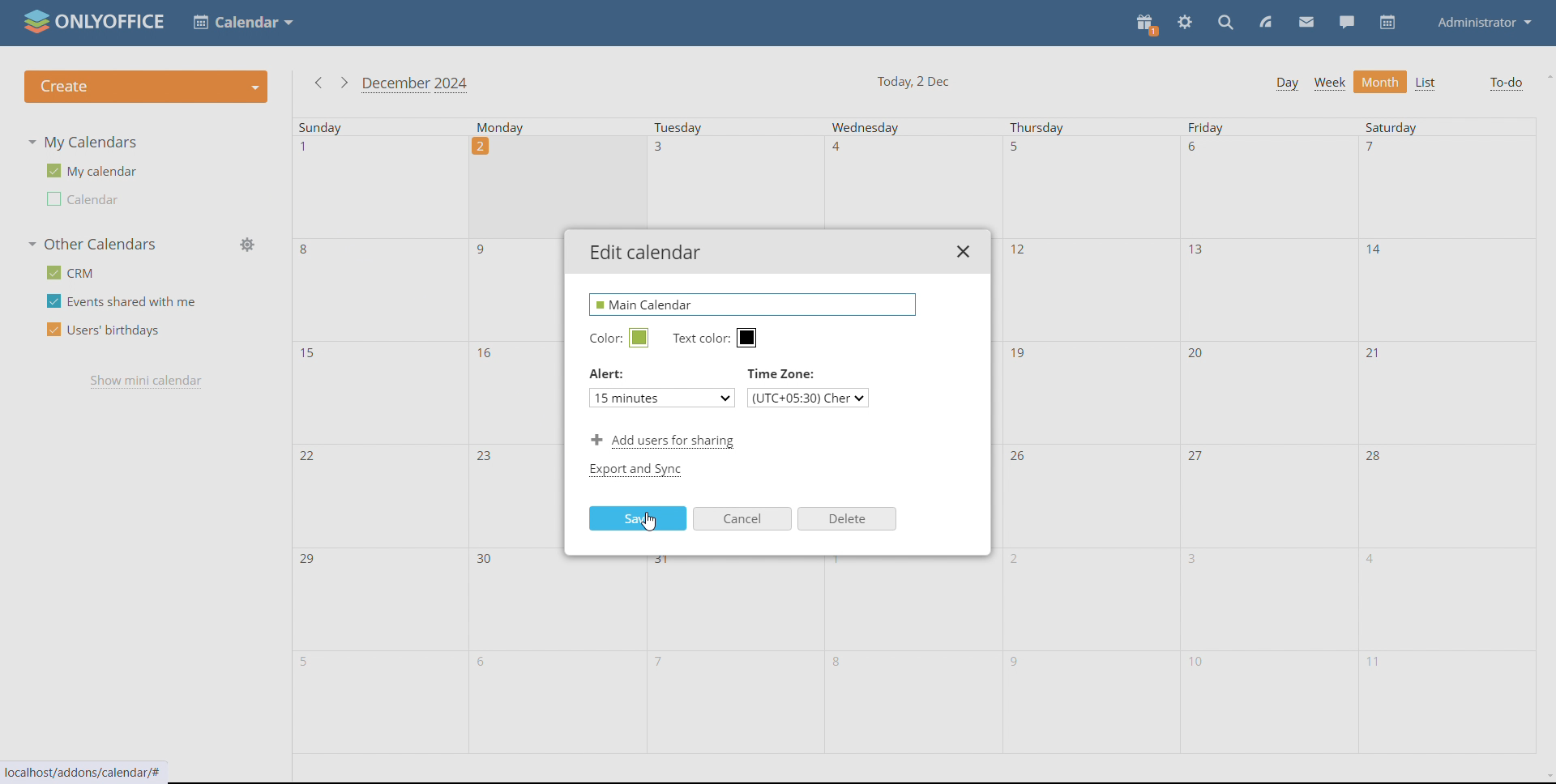 This screenshot has width=1556, height=784. What do you see at coordinates (1267, 125) in the screenshot?
I see `friday` at bounding box center [1267, 125].